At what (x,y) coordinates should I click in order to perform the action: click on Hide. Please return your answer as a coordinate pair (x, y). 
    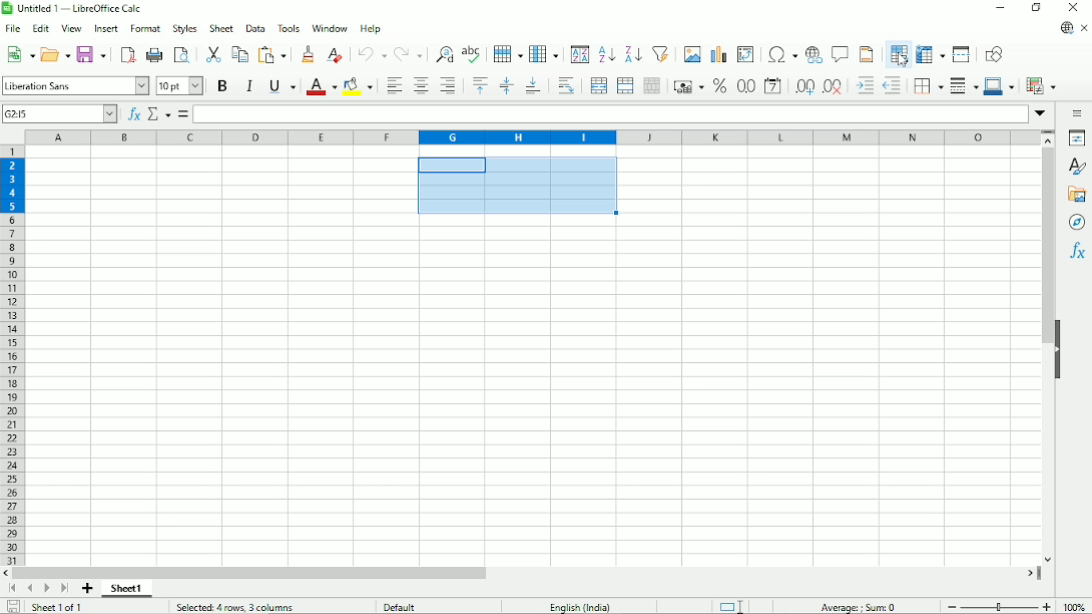
    Looking at the image, I should click on (1059, 350).